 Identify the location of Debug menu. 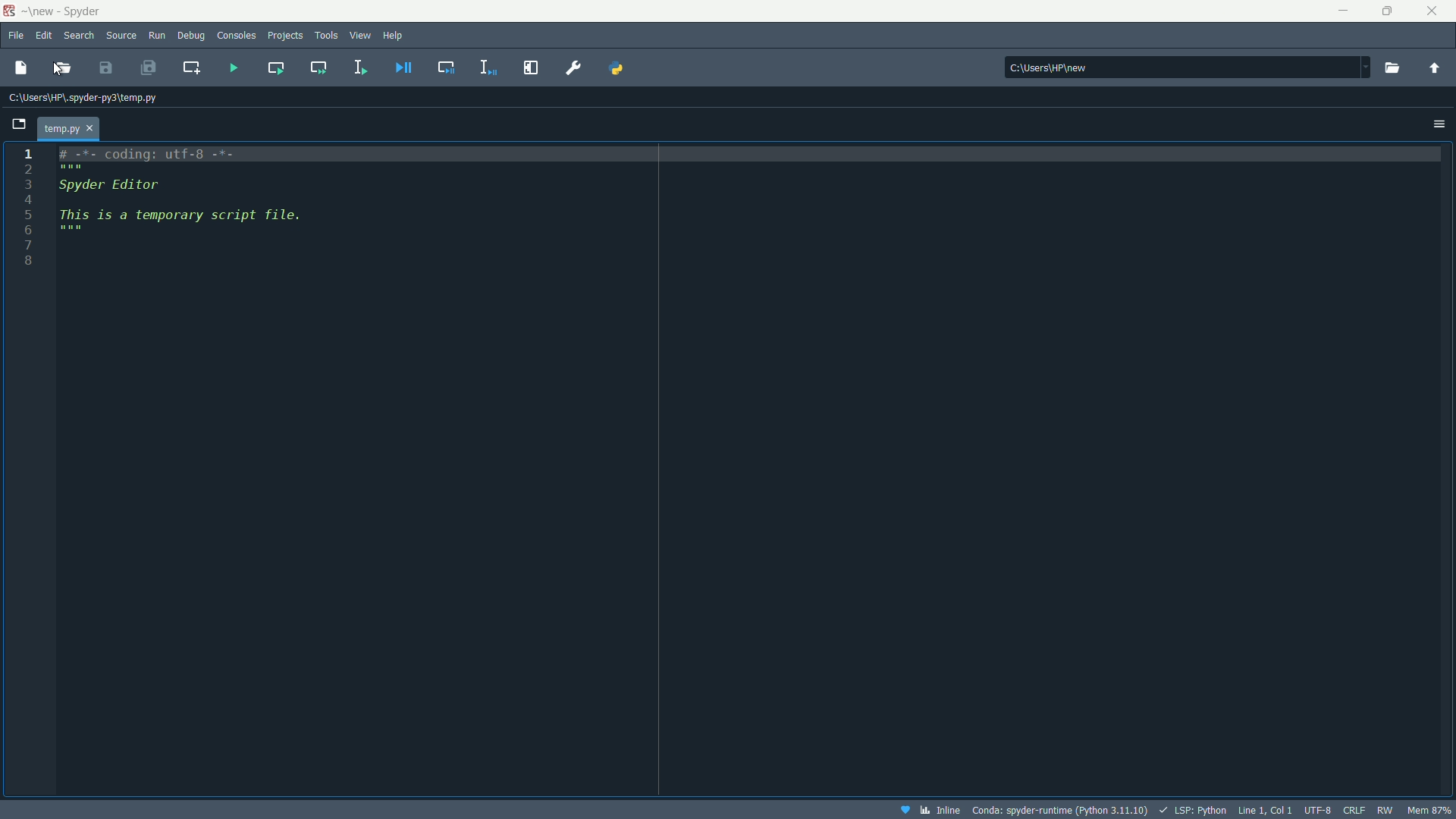
(190, 37).